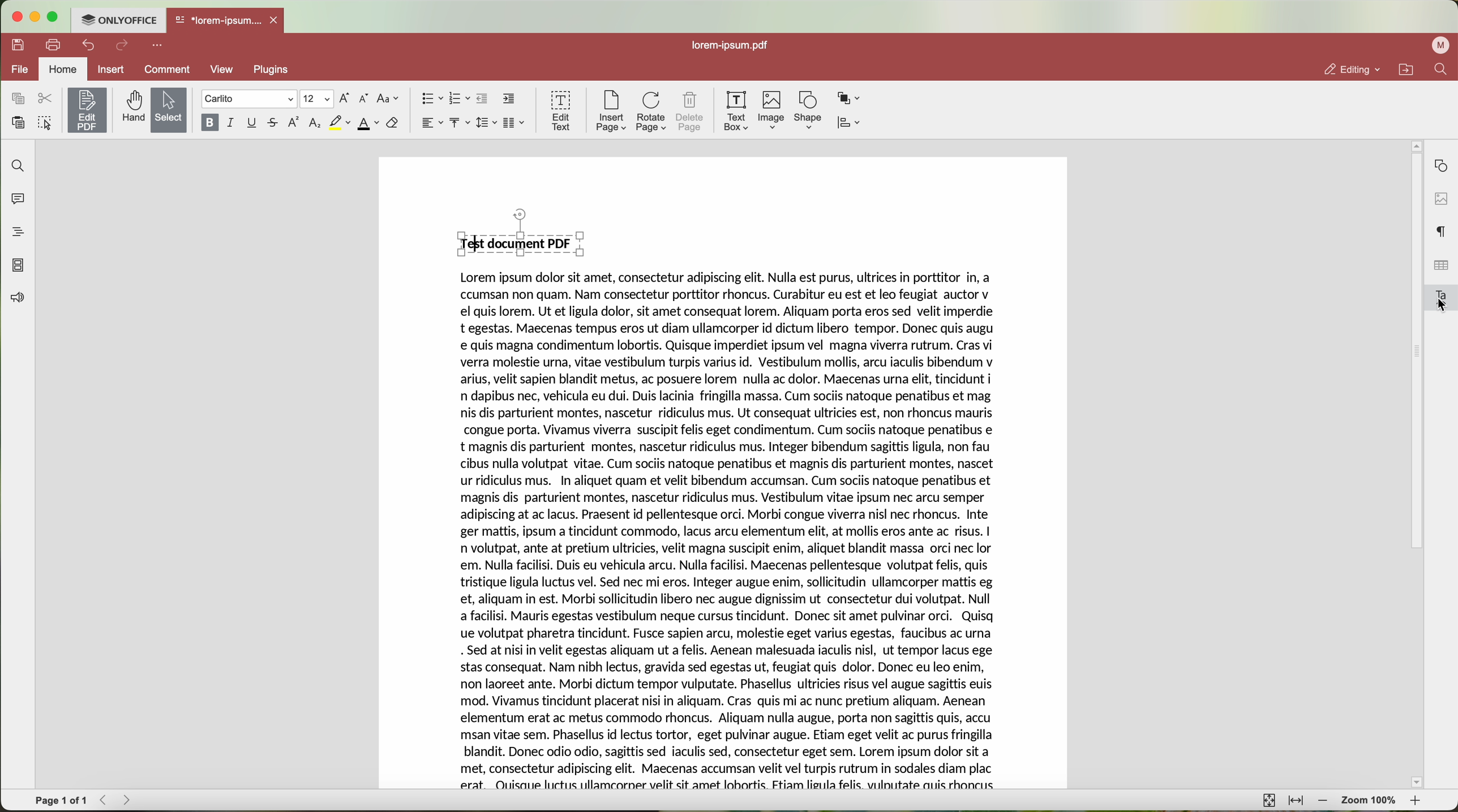  I want to click on editing, so click(1352, 69).